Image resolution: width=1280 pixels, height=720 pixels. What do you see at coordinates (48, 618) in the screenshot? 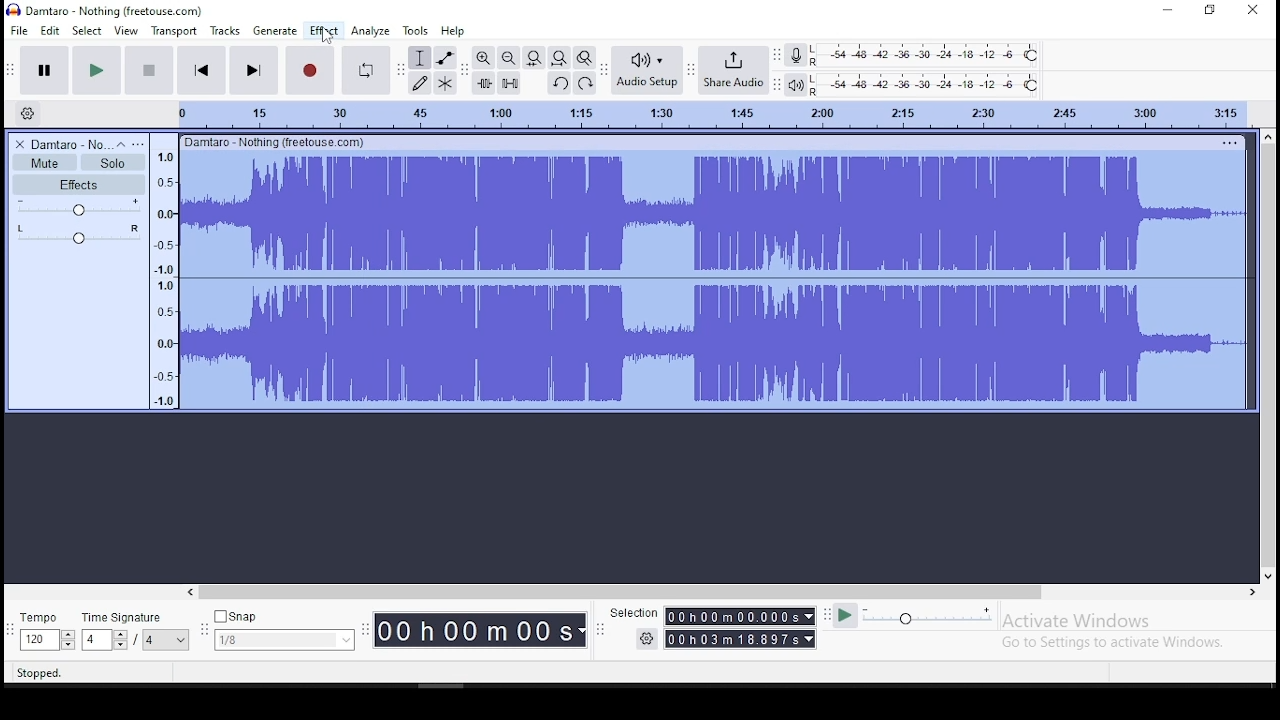
I see `tempo` at bounding box center [48, 618].